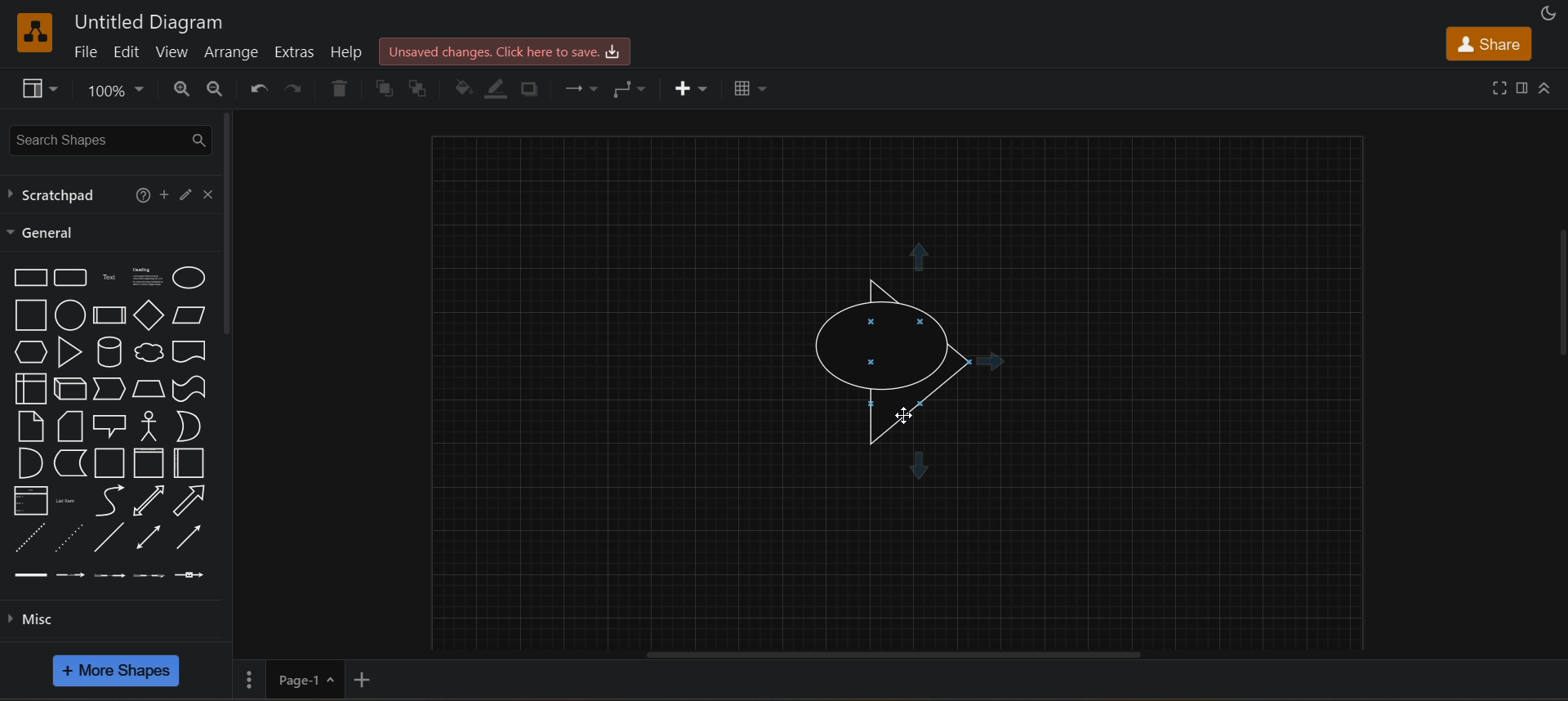  Describe the element at coordinates (189, 277) in the screenshot. I see `ellipse` at that location.